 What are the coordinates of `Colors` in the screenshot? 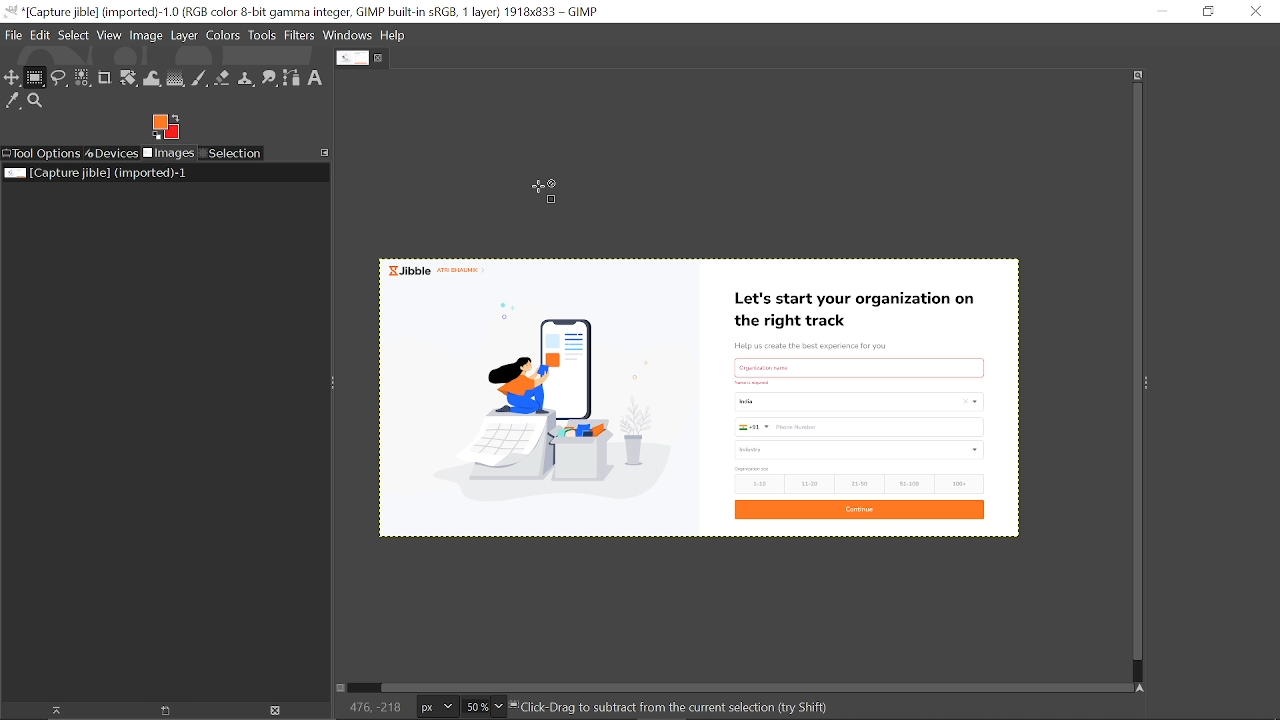 It's located at (224, 36).